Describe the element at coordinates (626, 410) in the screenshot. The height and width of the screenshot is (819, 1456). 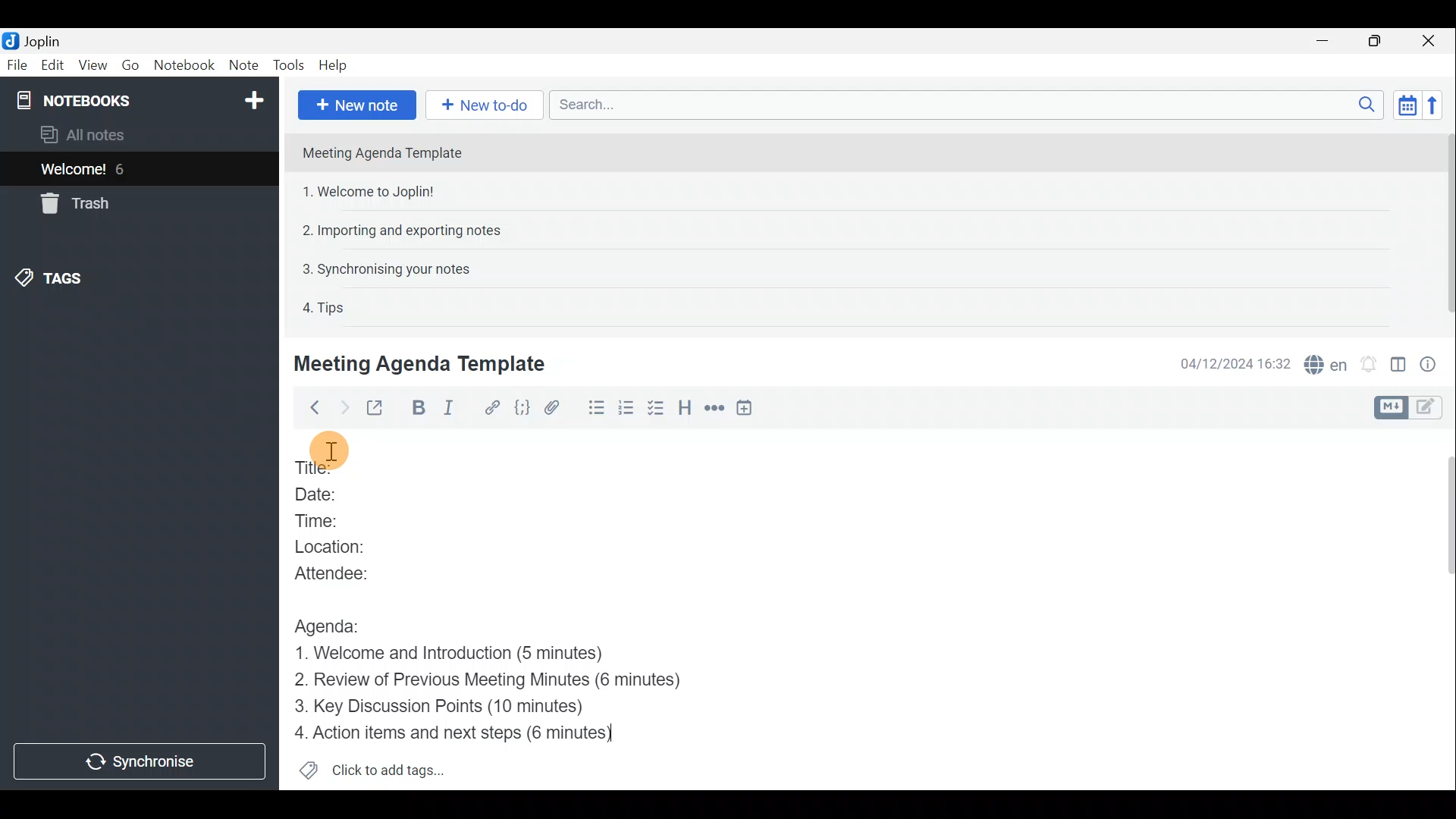
I see `Numbered list` at that location.